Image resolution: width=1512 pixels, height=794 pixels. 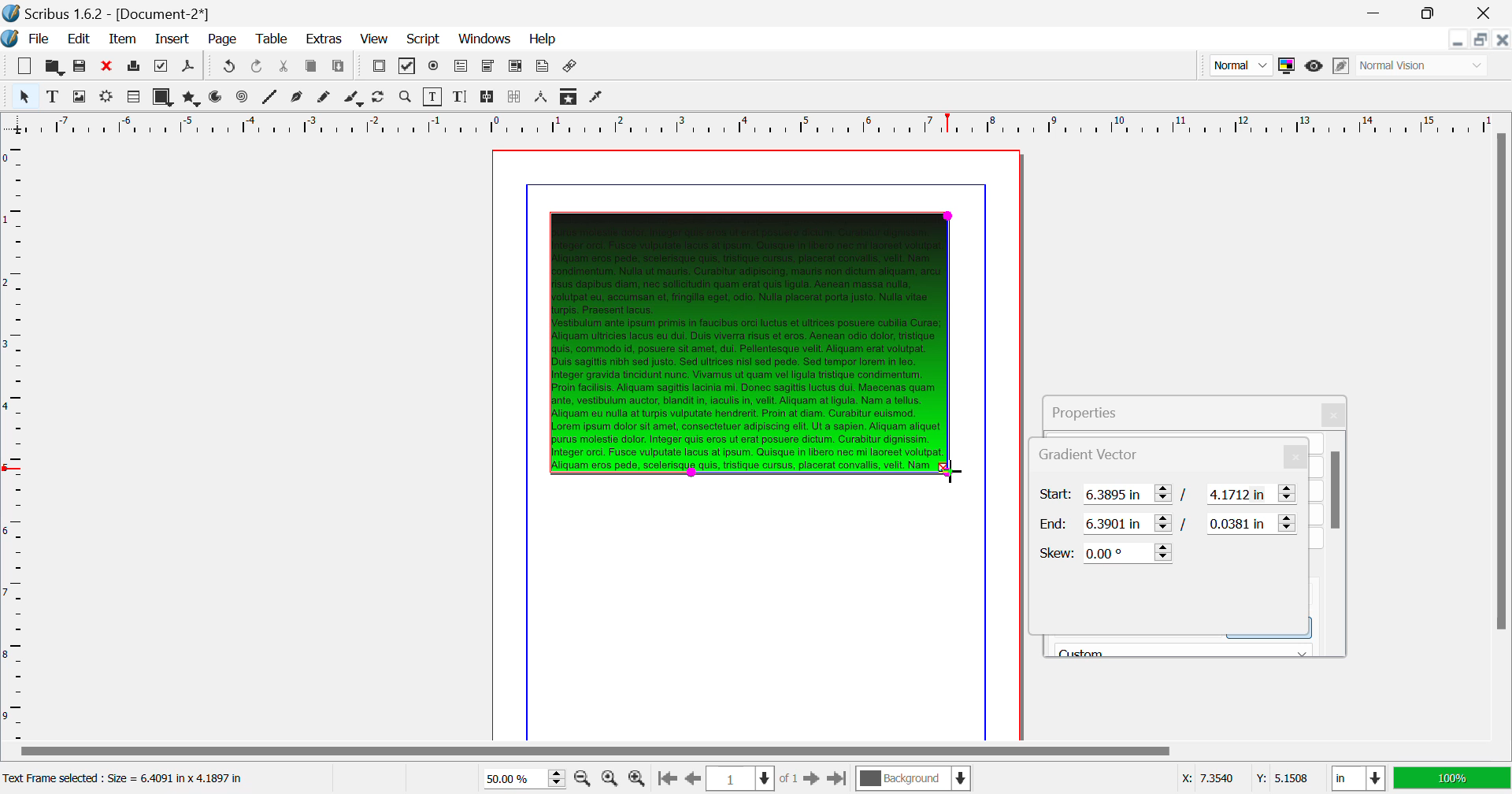 I want to click on Copy Item Properties, so click(x=570, y=96).